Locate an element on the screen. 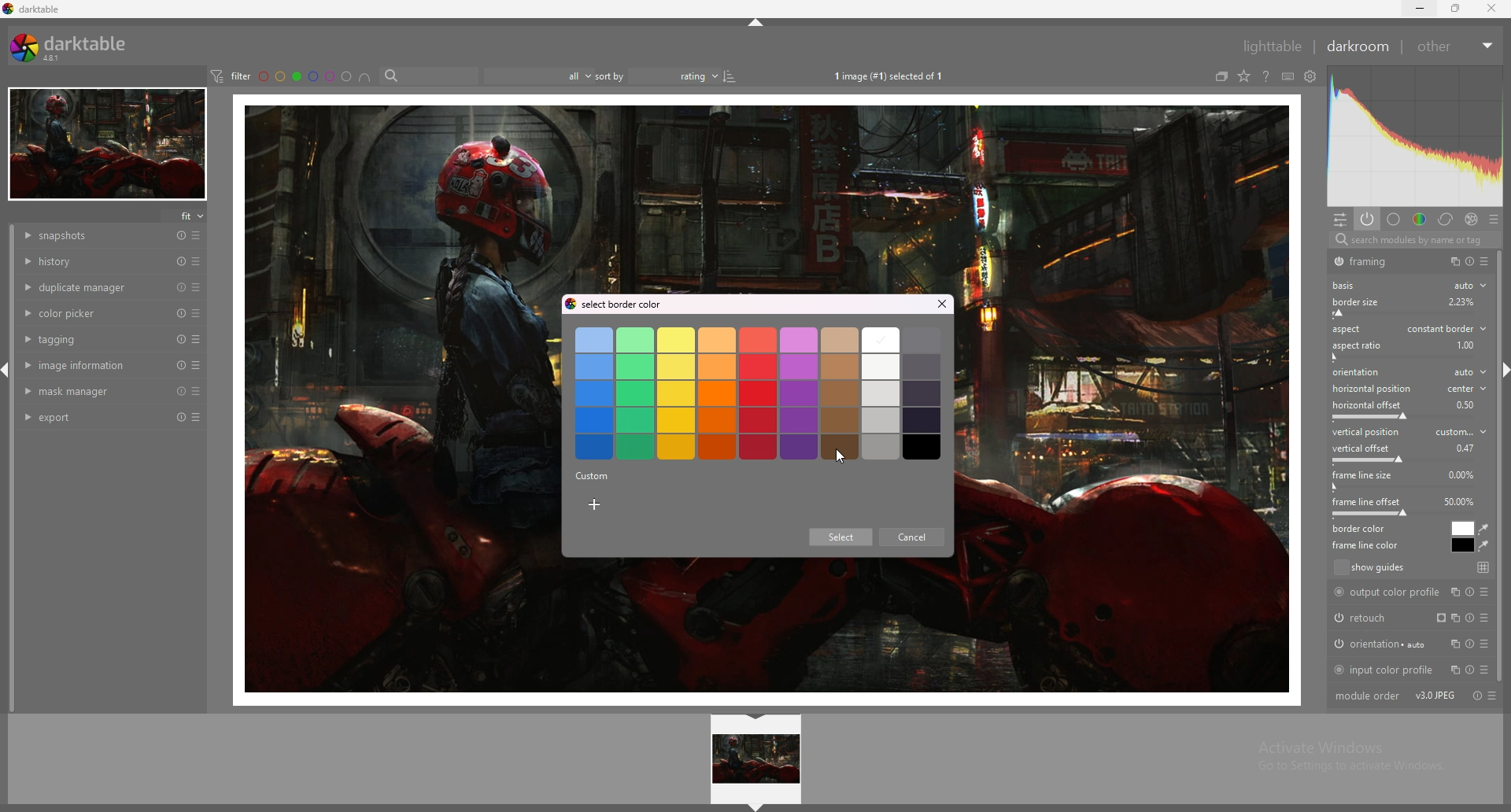 Image resolution: width=1511 pixels, height=812 pixels. percentage is located at coordinates (1465, 447).